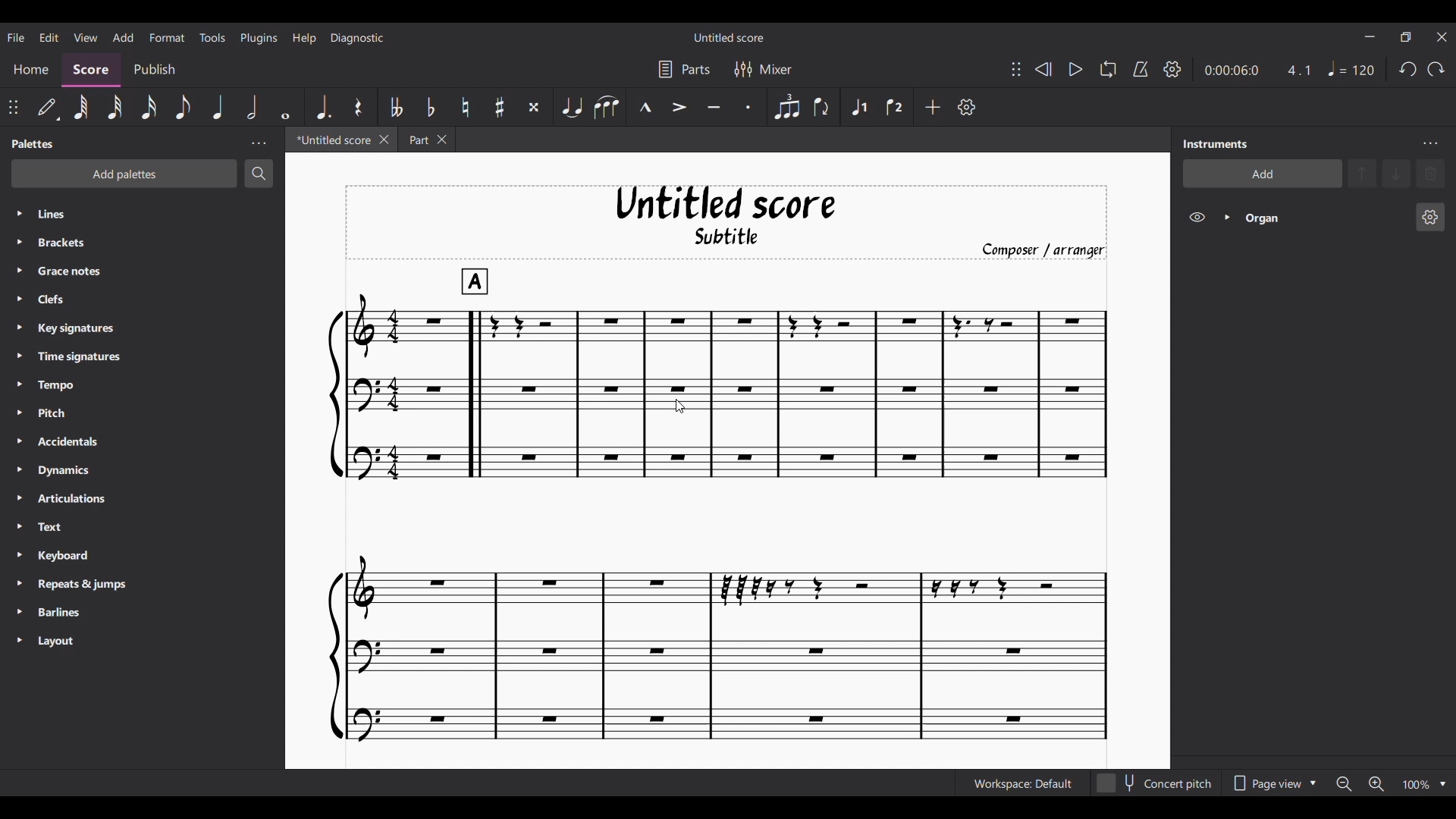 This screenshot has height=819, width=1456. What do you see at coordinates (124, 174) in the screenshot?
I see `Add palette` at bounding box center [124, 174].